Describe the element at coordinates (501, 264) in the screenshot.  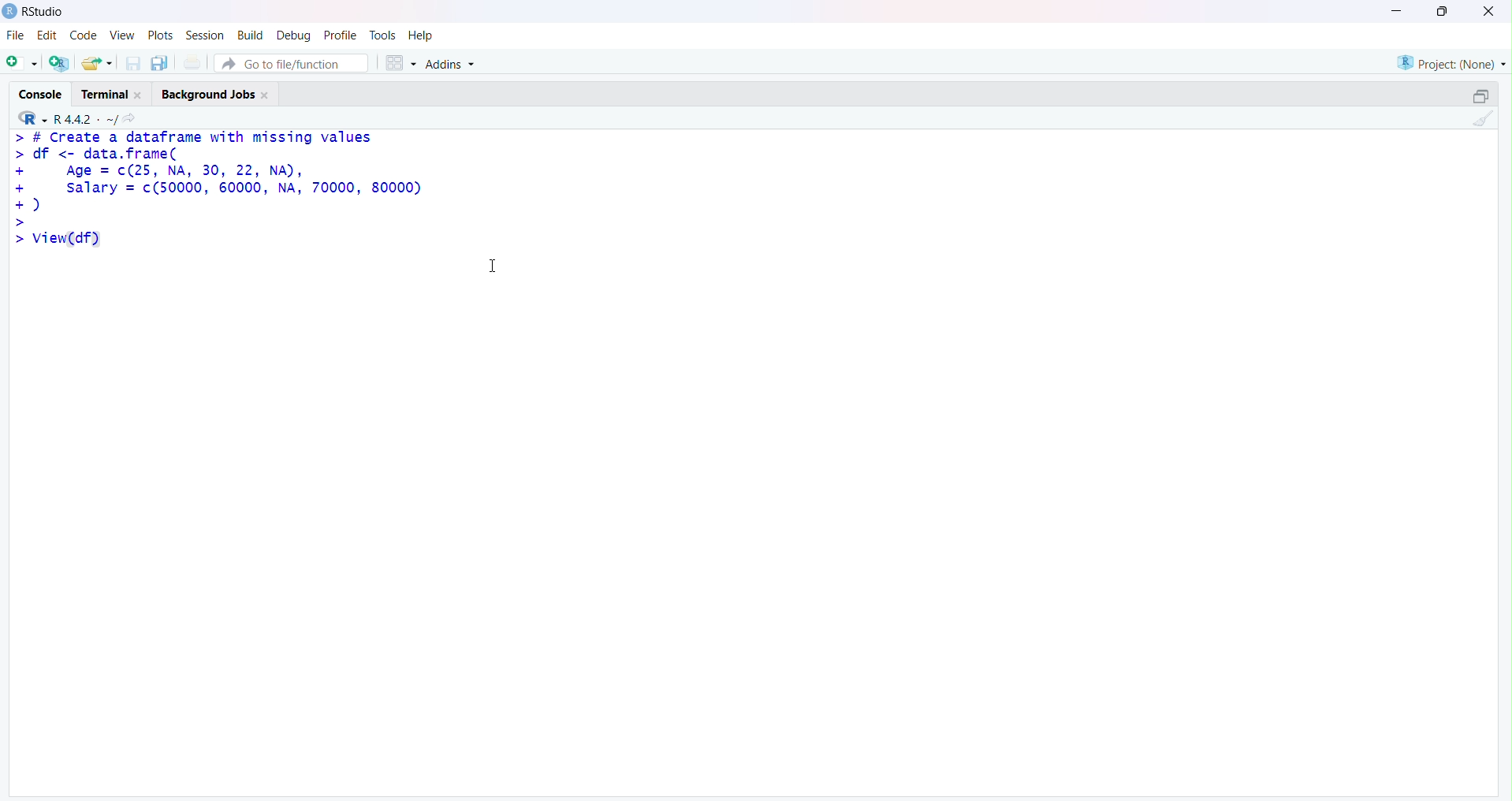
I see `Text cursor` at that location.